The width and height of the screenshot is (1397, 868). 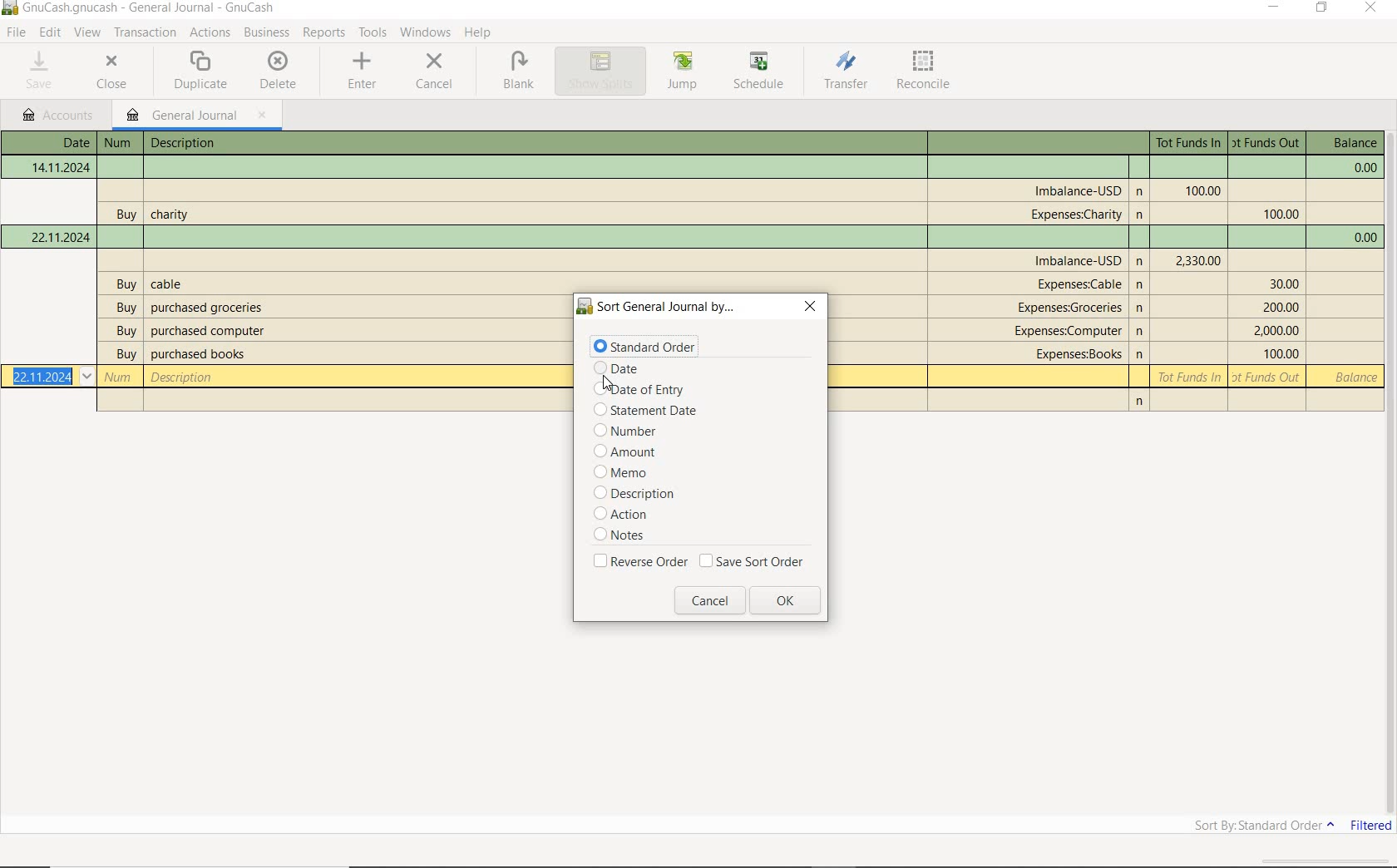 What do you see at coordinates (267, 33) in the screenshot?
I see `BUSINESS` at bounding box center [267, 33].